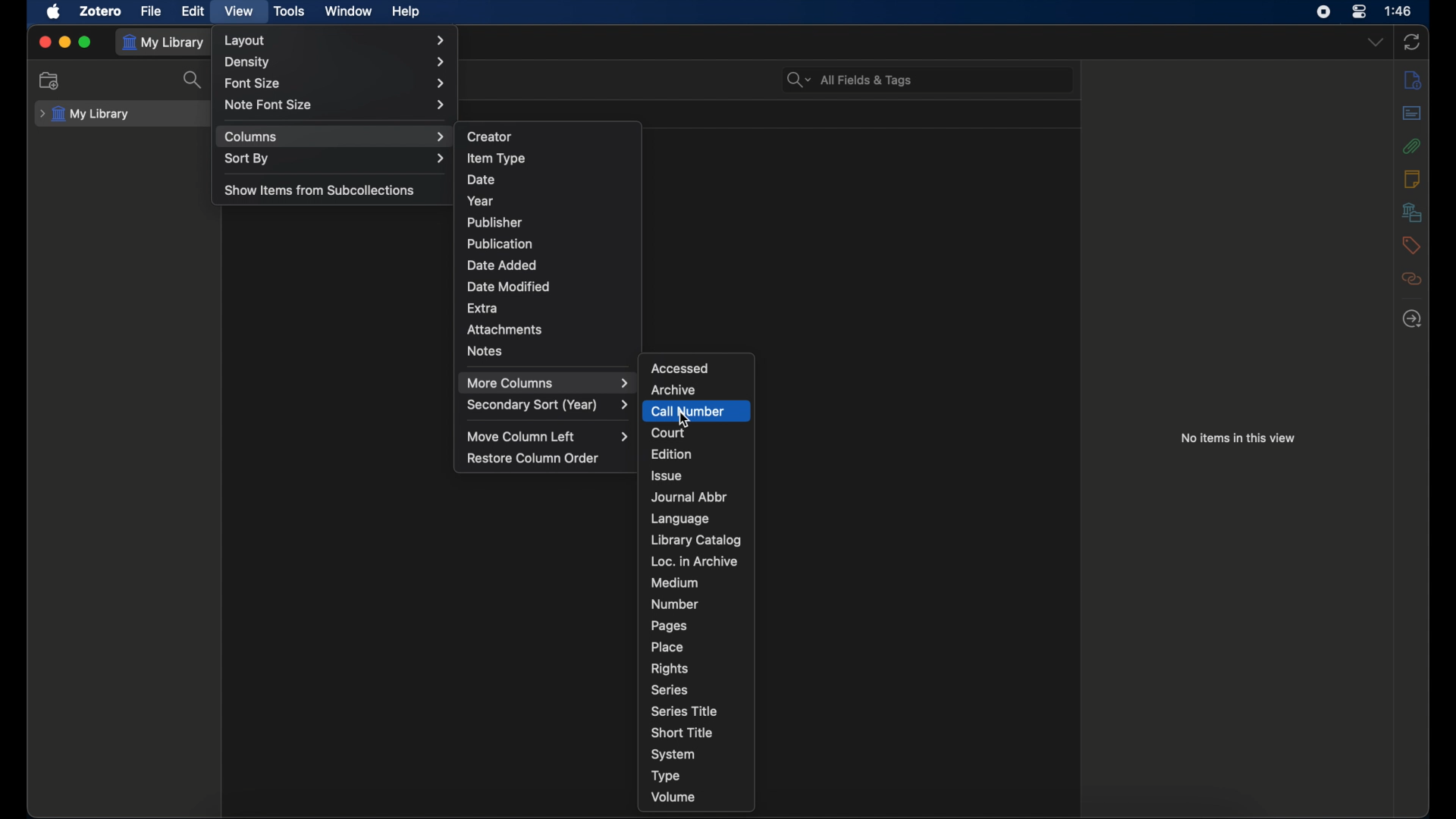 This screenshot has height=819, width=1456. Describe the element at coordinates (669, 690) in the screenshot. I see `series` at that location.